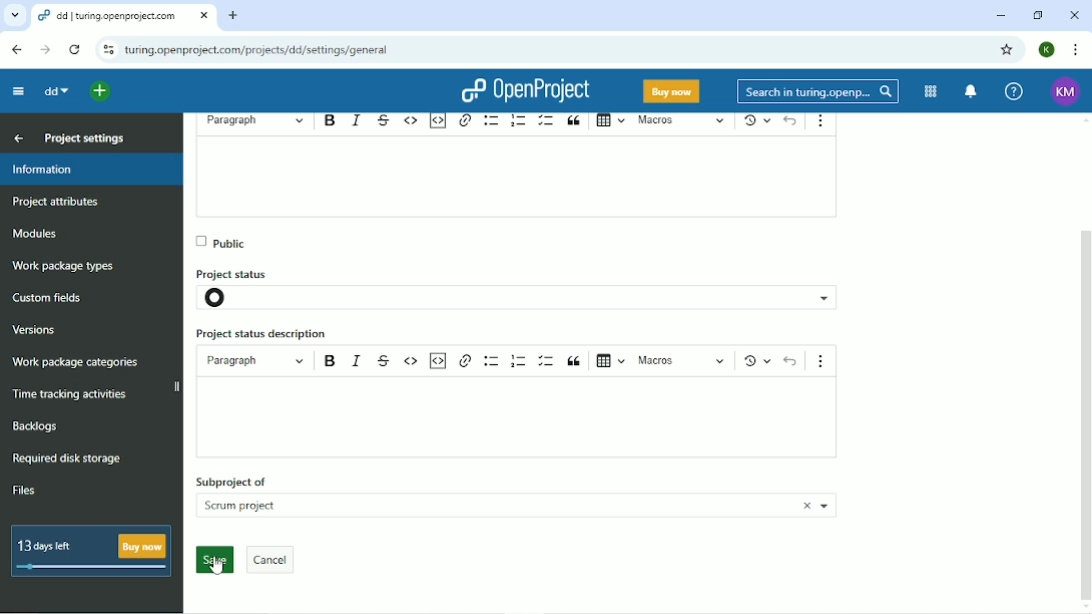 This screenshot has height=614, width=1092. Describe the element at coordinates (218, 565) in the screenshot. I see `cursor` at that location.